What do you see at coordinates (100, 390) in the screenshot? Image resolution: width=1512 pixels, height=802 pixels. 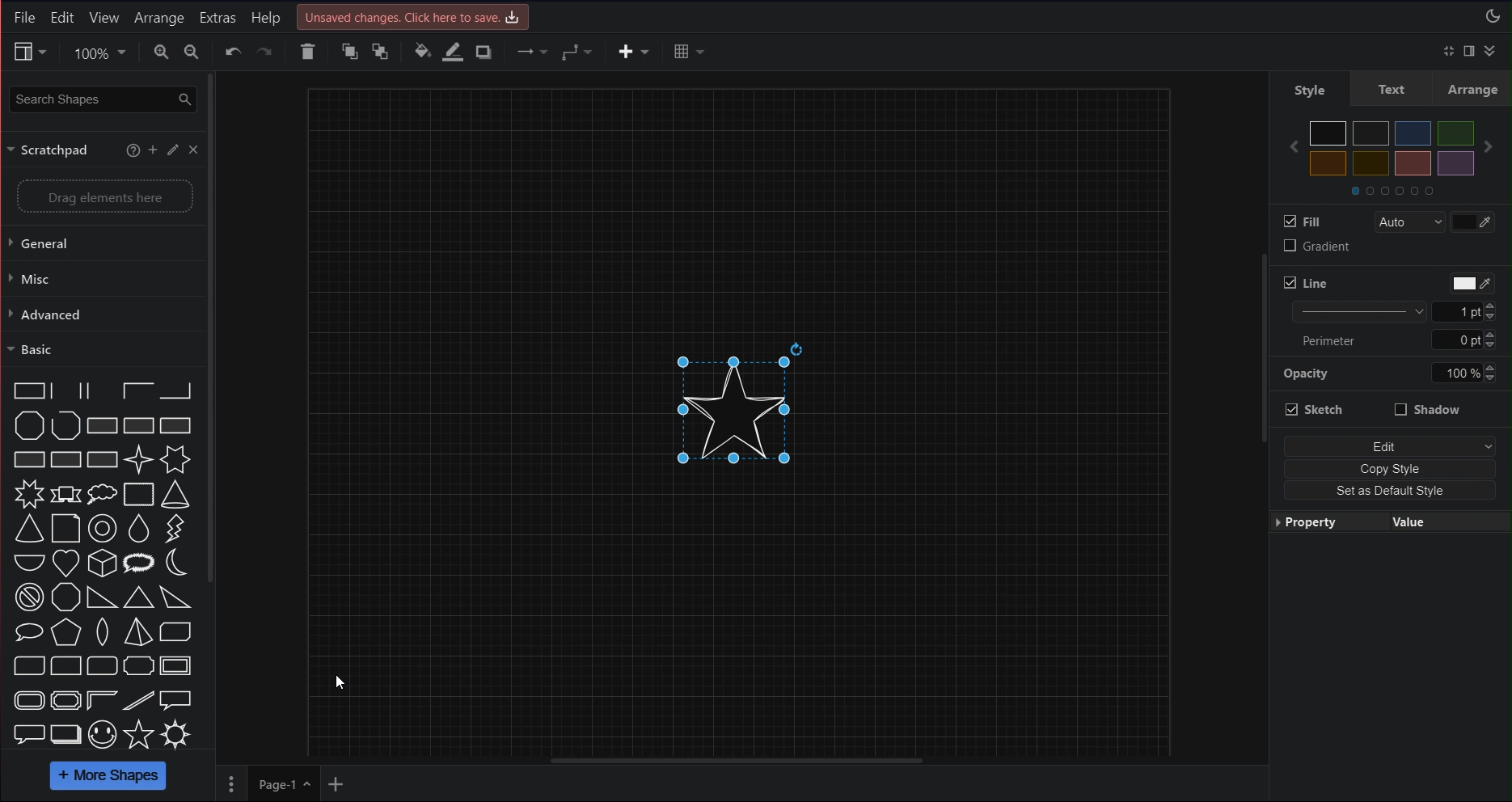 I see `partial rectangle` at bounding box center [100, 390].